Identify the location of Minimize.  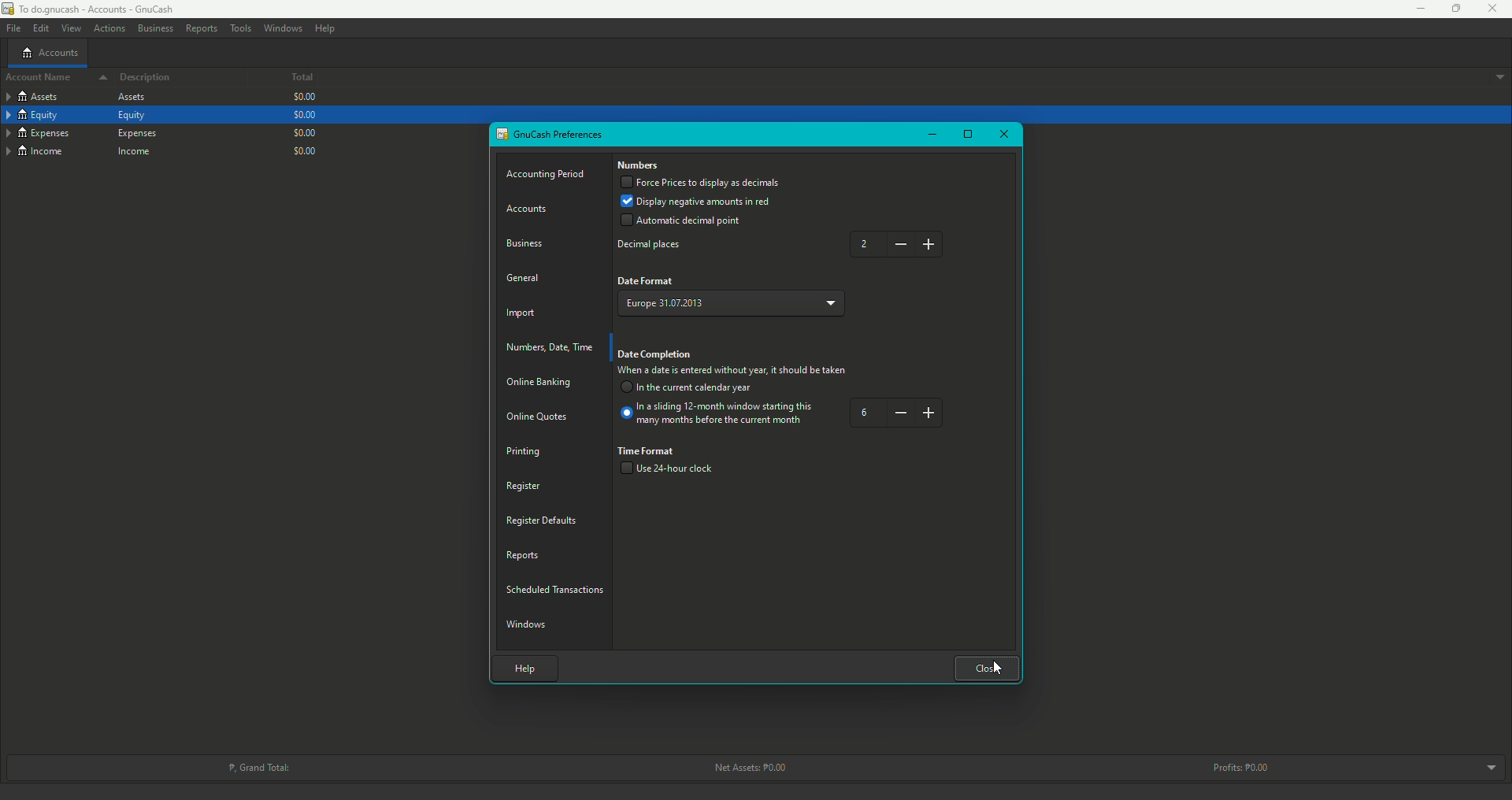
(931, 134).